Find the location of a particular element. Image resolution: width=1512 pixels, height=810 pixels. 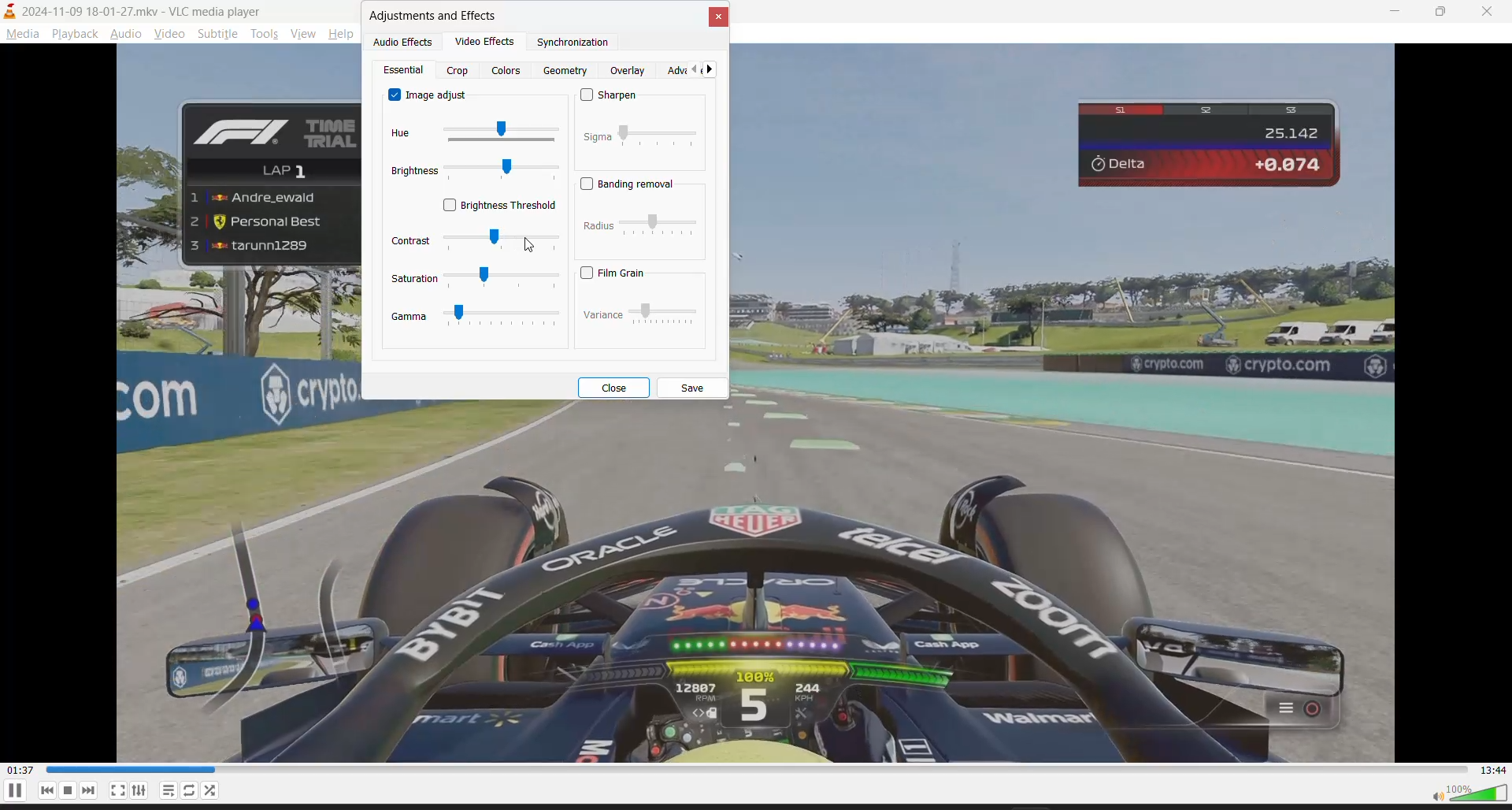

contrast is located at coordinates (475, 242).